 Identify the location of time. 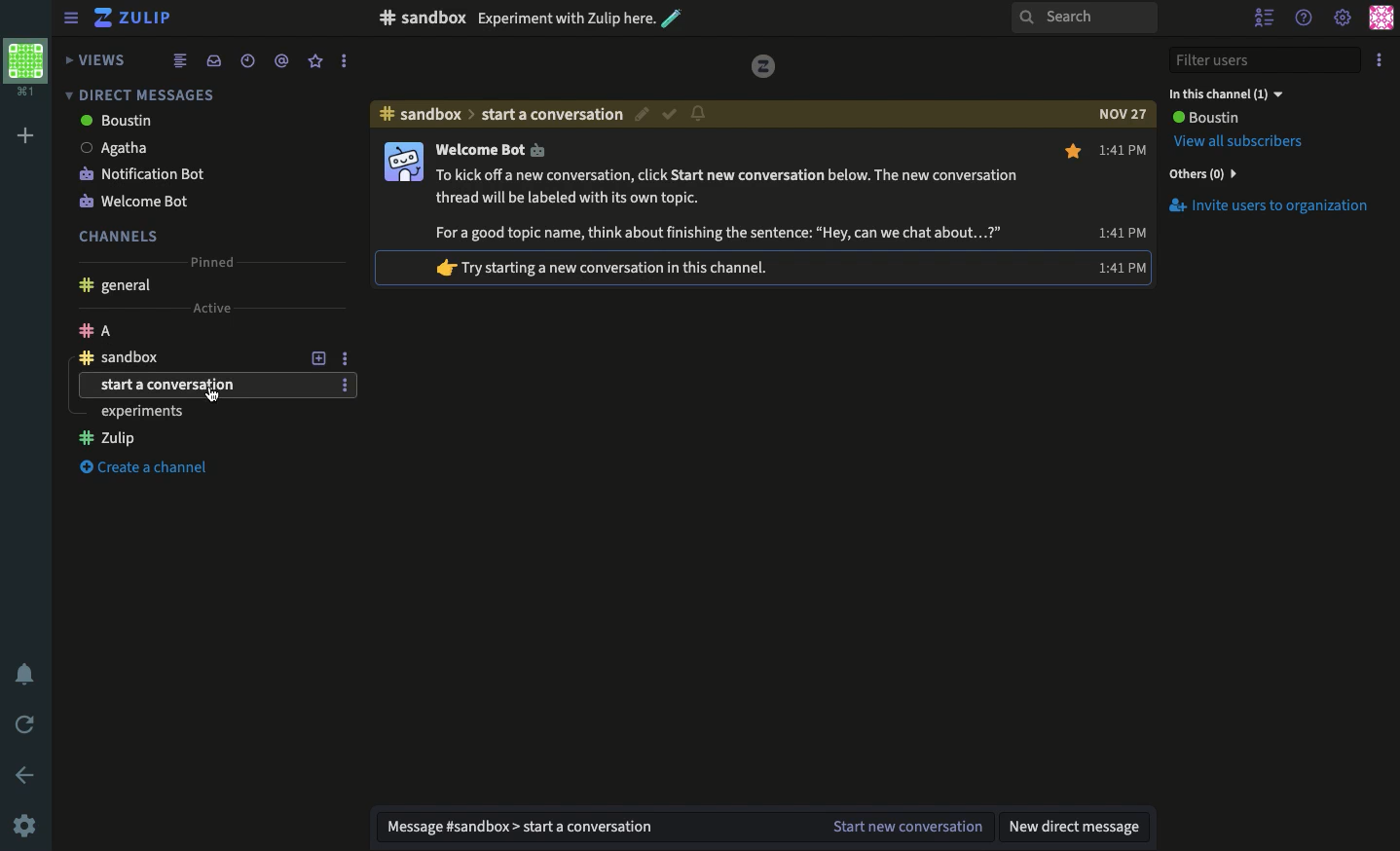
(1121, 231).